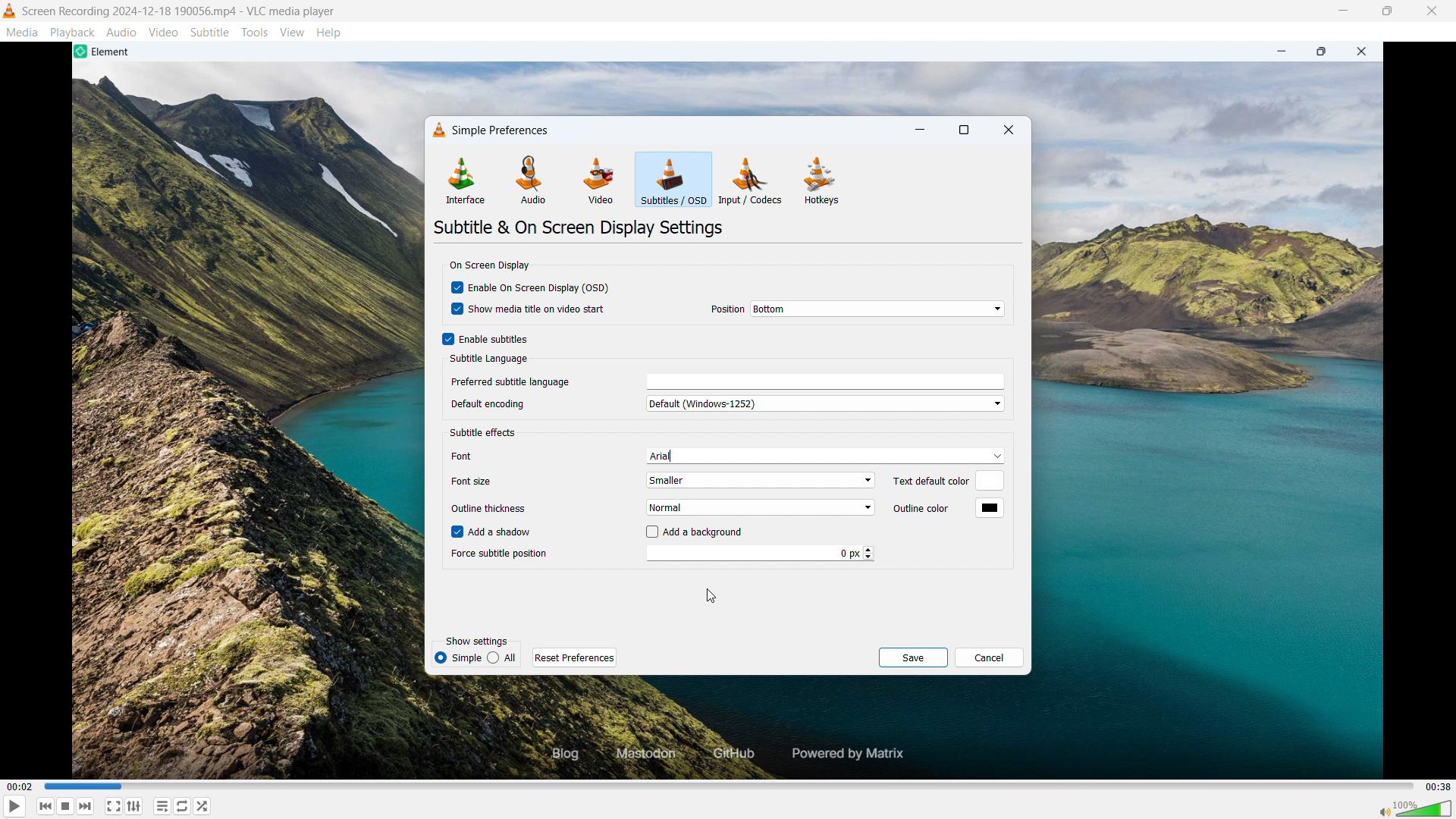 The width and height of the screenshot is (1456, 819). I want to click on Outline thickness, so click(487, 510).